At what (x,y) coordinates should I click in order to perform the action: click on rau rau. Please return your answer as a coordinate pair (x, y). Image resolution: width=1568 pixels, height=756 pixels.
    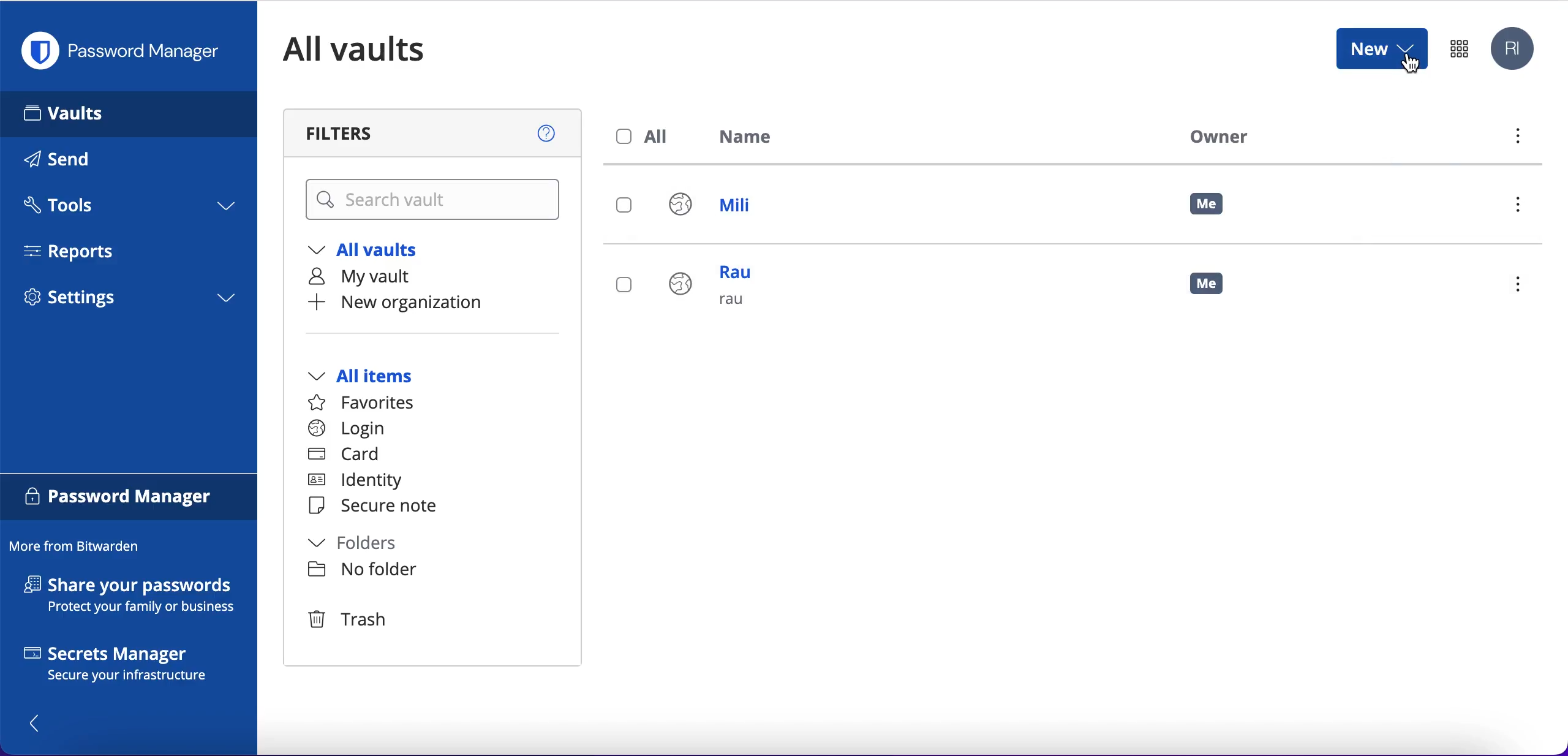
    Looking at the image, I should click on (717, 288).